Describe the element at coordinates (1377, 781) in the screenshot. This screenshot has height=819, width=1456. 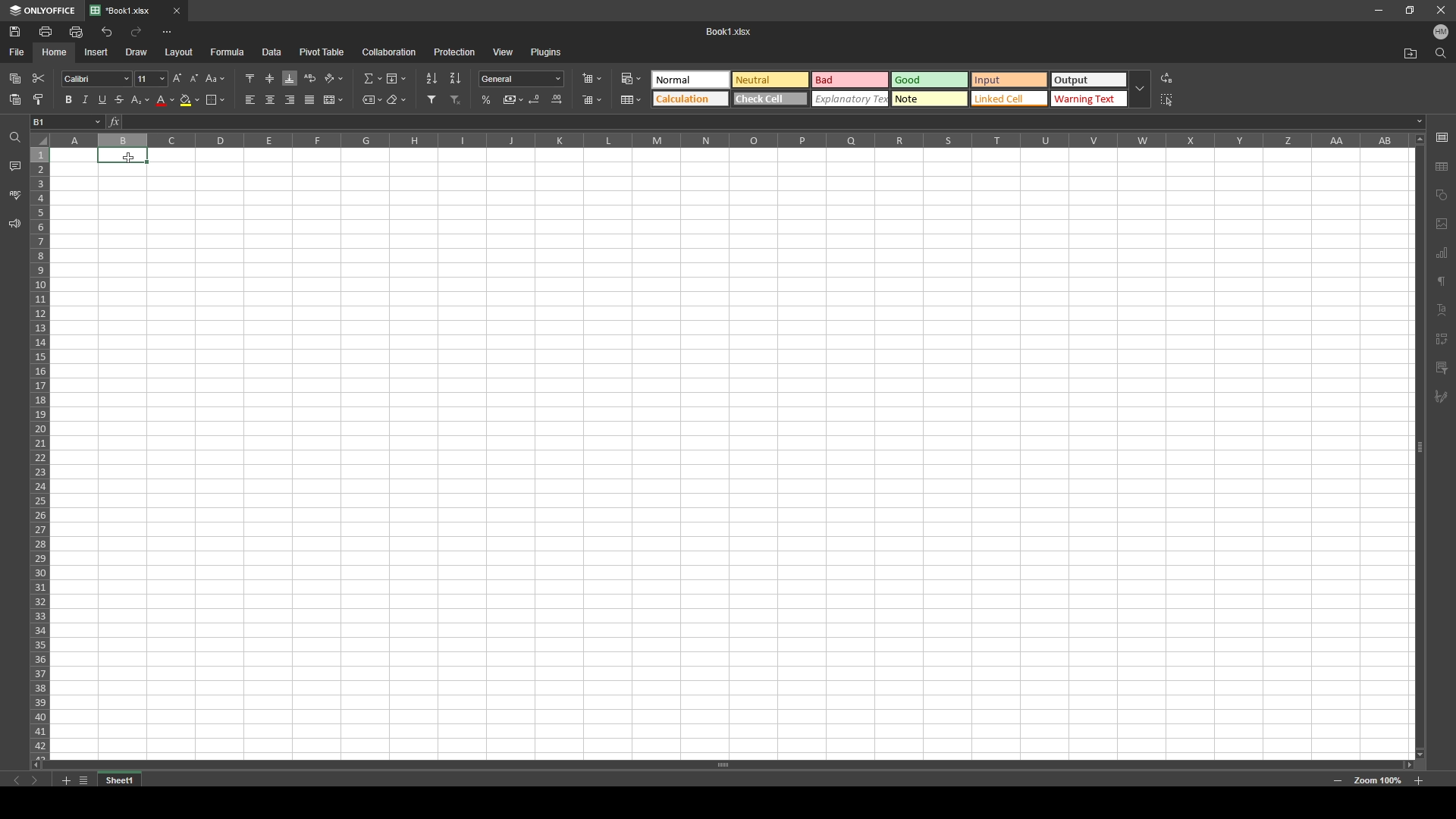
I see `zoom` at that location.